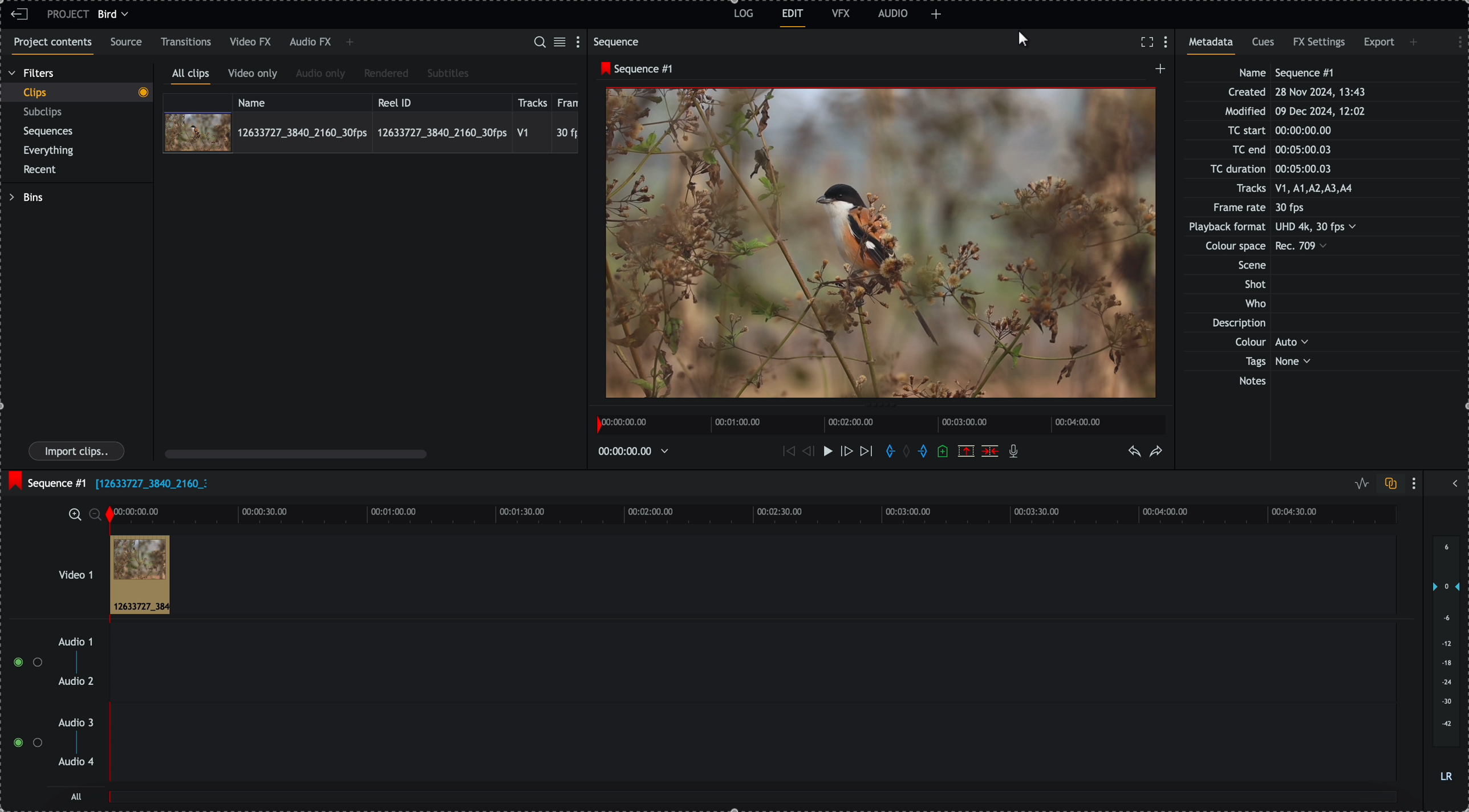 This screenshot has width=1469, height=812. Describe the element at coordinates (570, 101) in the screenshot. I see `frame` at that location.